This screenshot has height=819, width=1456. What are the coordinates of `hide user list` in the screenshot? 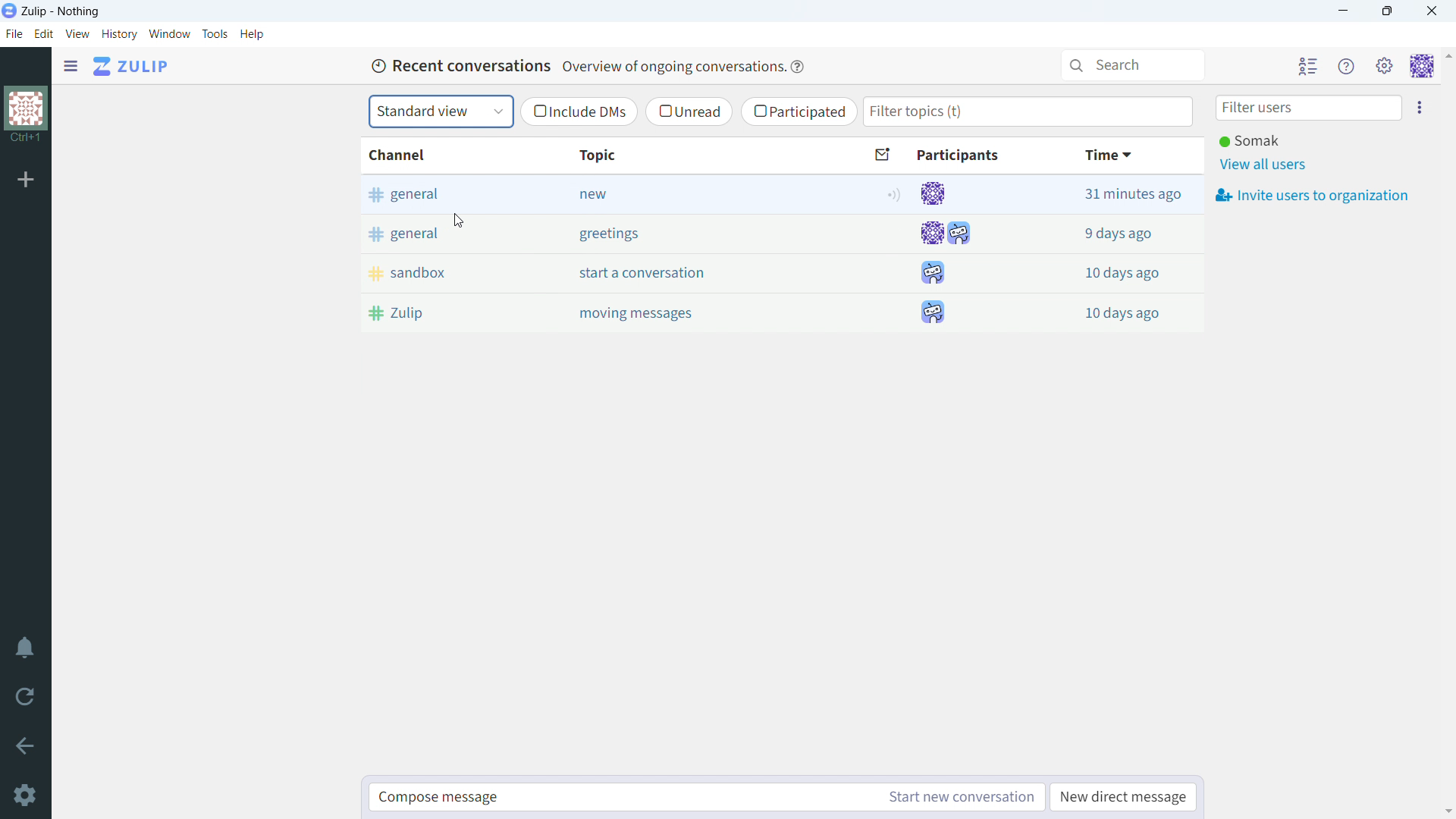 It's located at (1308, 65).